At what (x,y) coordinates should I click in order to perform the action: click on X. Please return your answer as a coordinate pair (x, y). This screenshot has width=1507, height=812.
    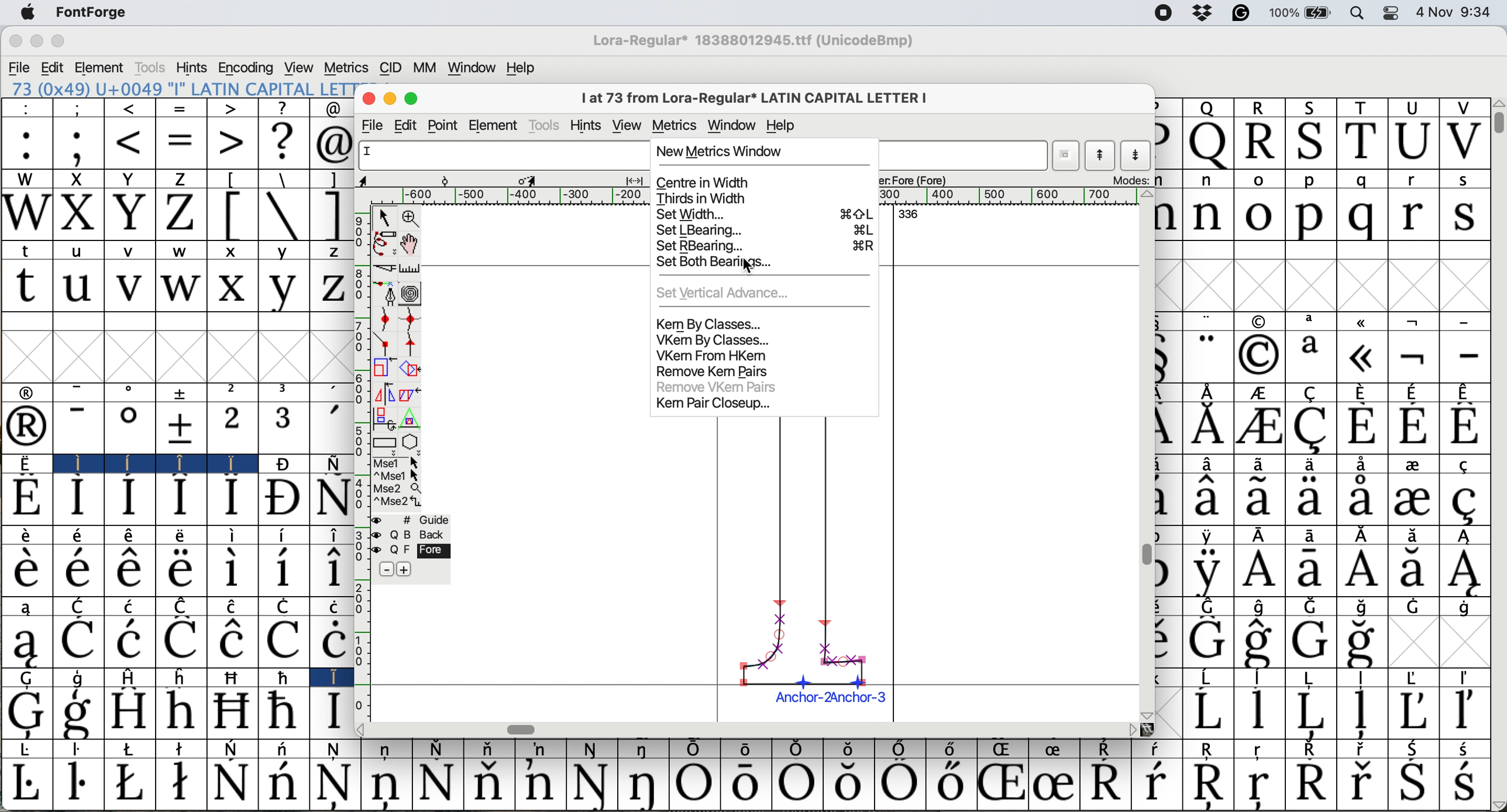
    Looking at the image, I should click on (78, 215).